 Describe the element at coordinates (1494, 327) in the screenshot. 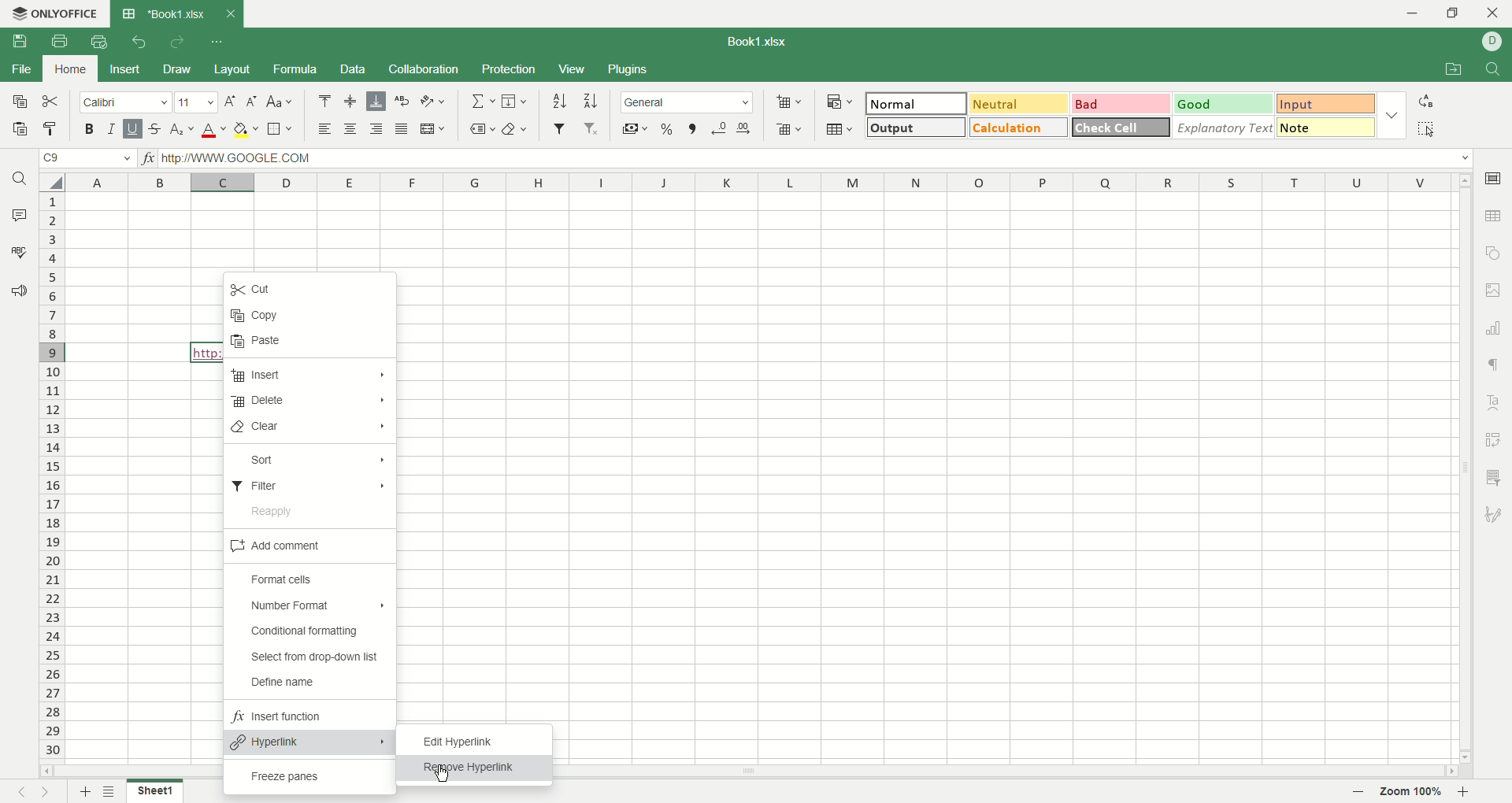

I see `chart settings` at that location.